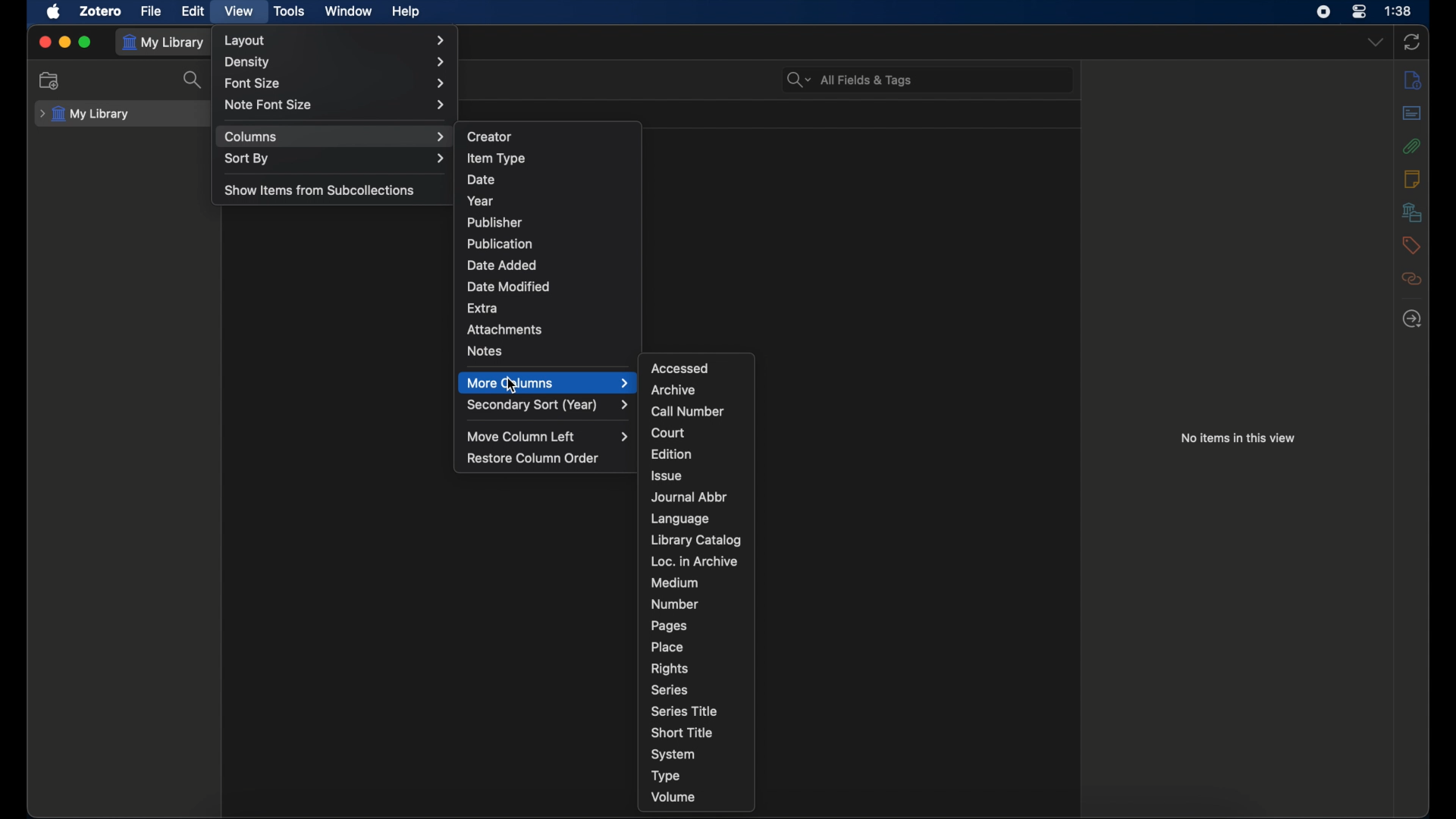  I want to click on font size, so click(338, 83).